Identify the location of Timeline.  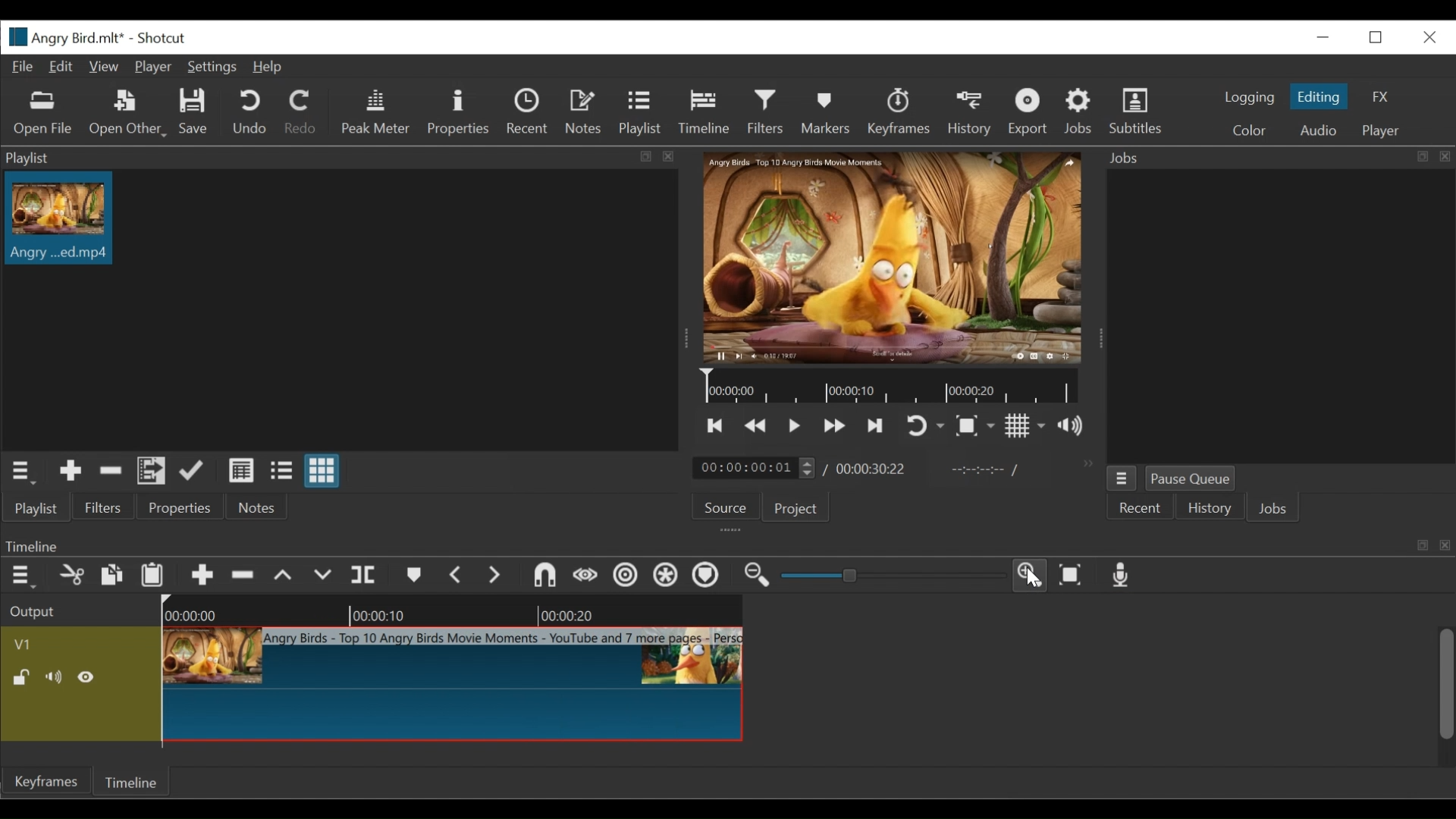
(458, 611).